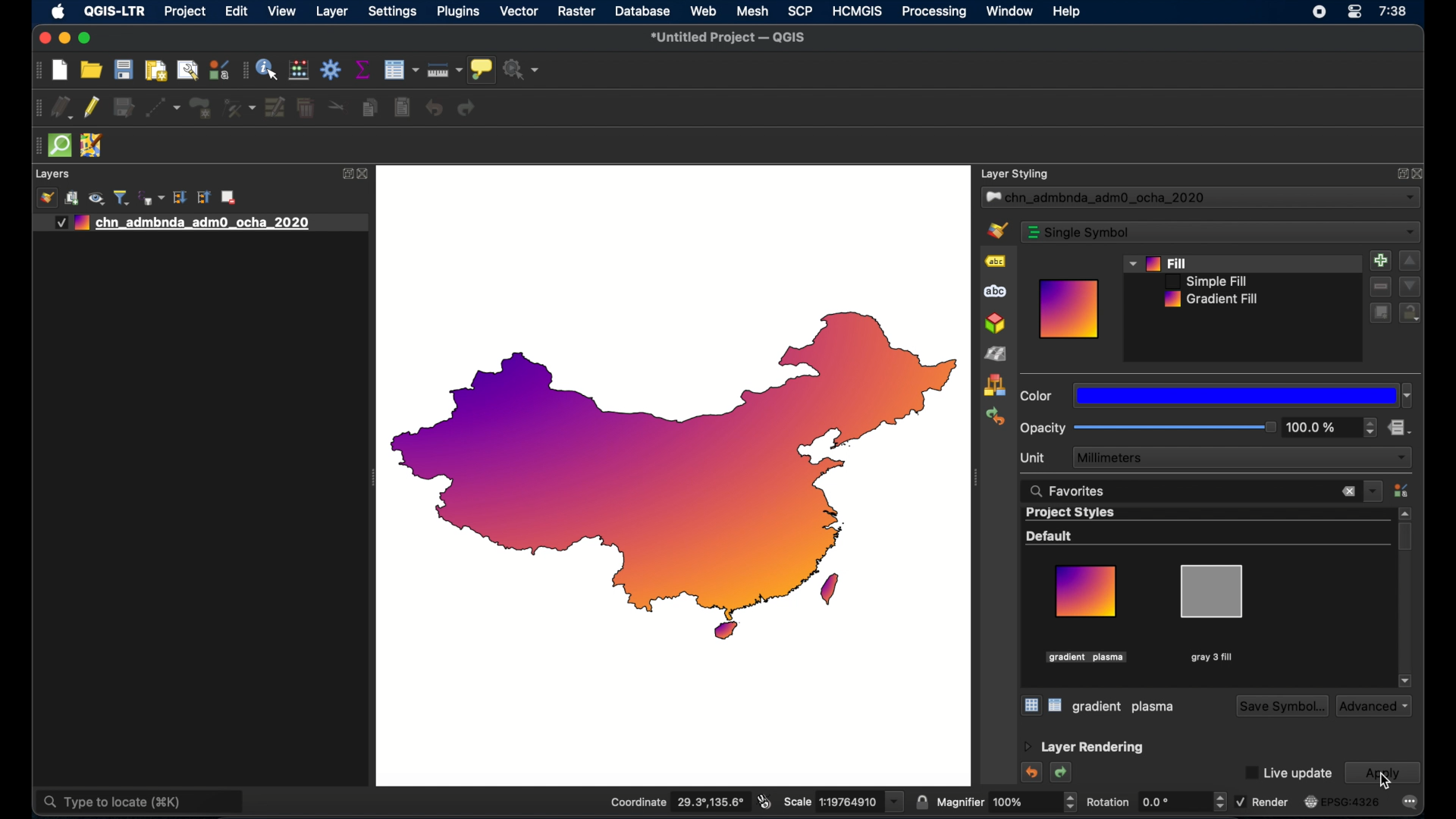 Image resolution: width=1456 pixels, height=819 pixels. I want to click on scroll box, so click(1405, 537).